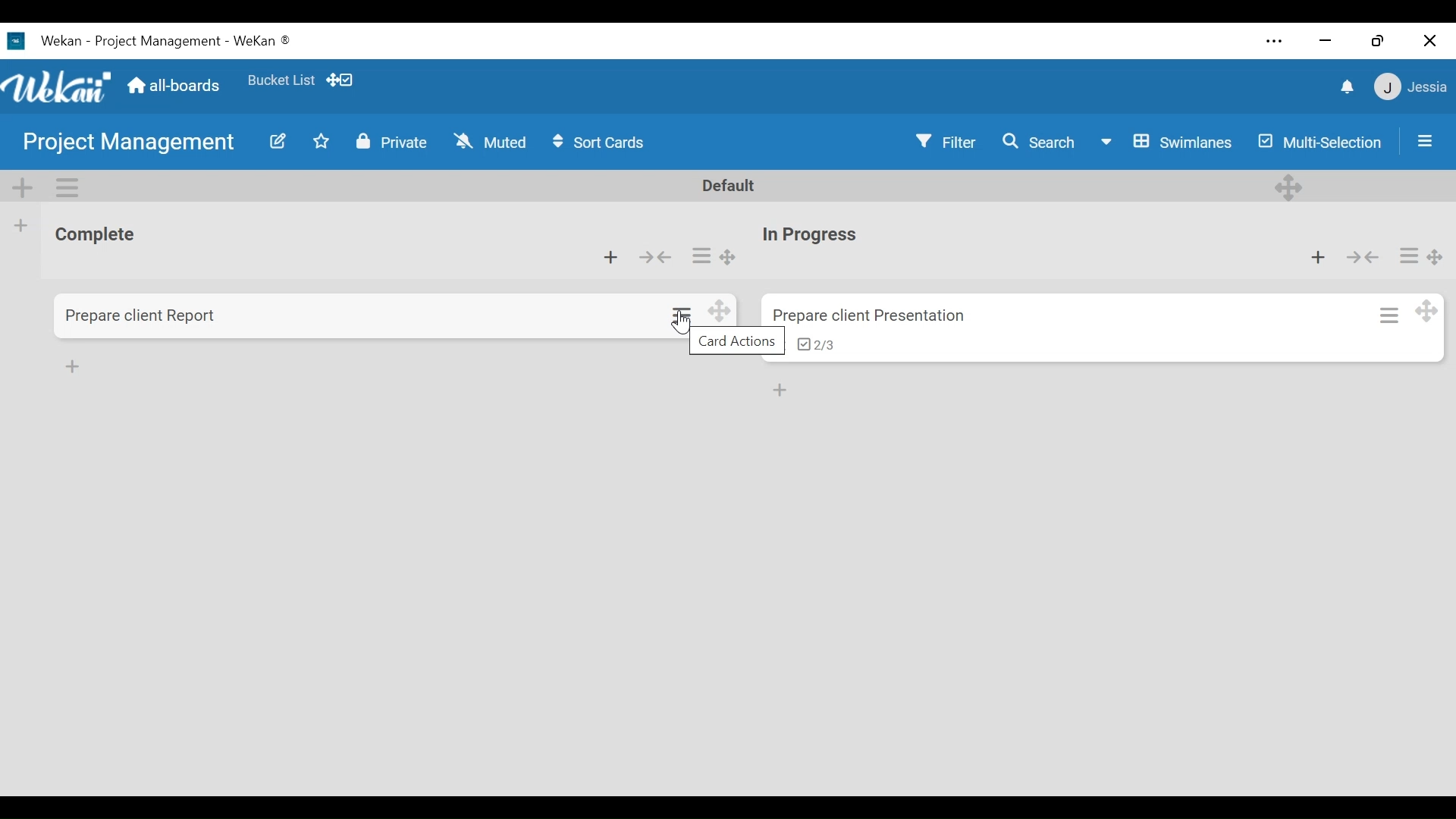 The width and height of the screenshot is (1456, 819). Describe the element at coordinates (69, 188) in the screenshot. I see `Swimlane Actions` at that location.